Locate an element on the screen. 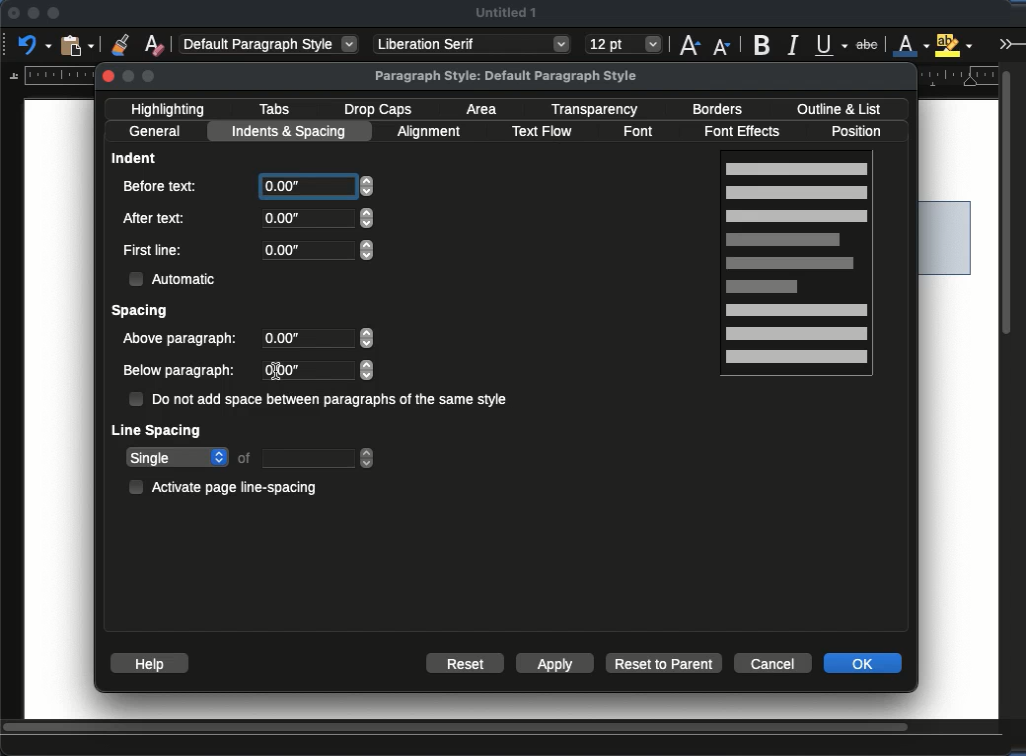 The height and width of the screenshot is (756, 1026). first line is located at coordinates (153, 250).